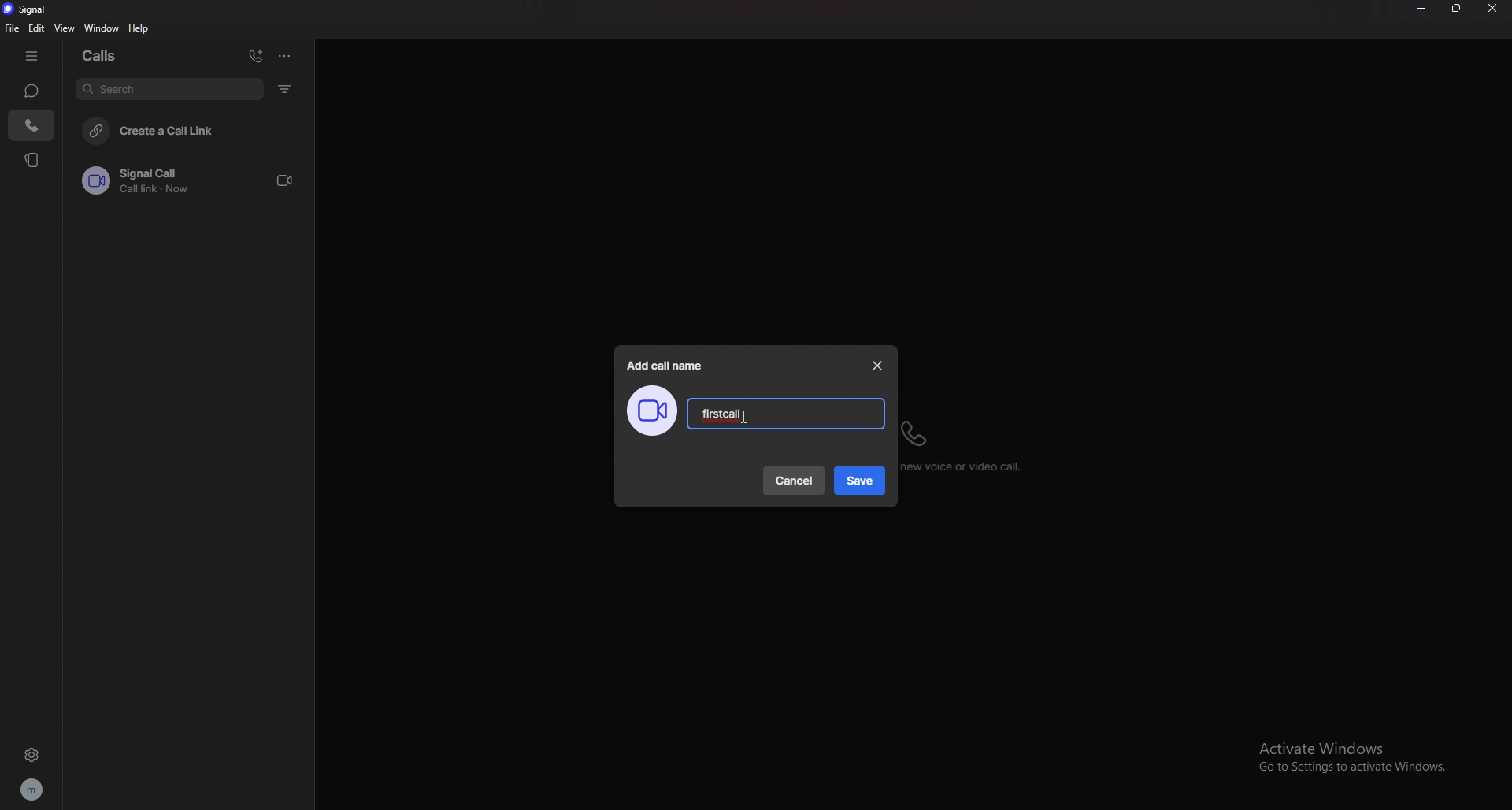 The image size is (1512, 810). I want to click on save, so click(861, 481).